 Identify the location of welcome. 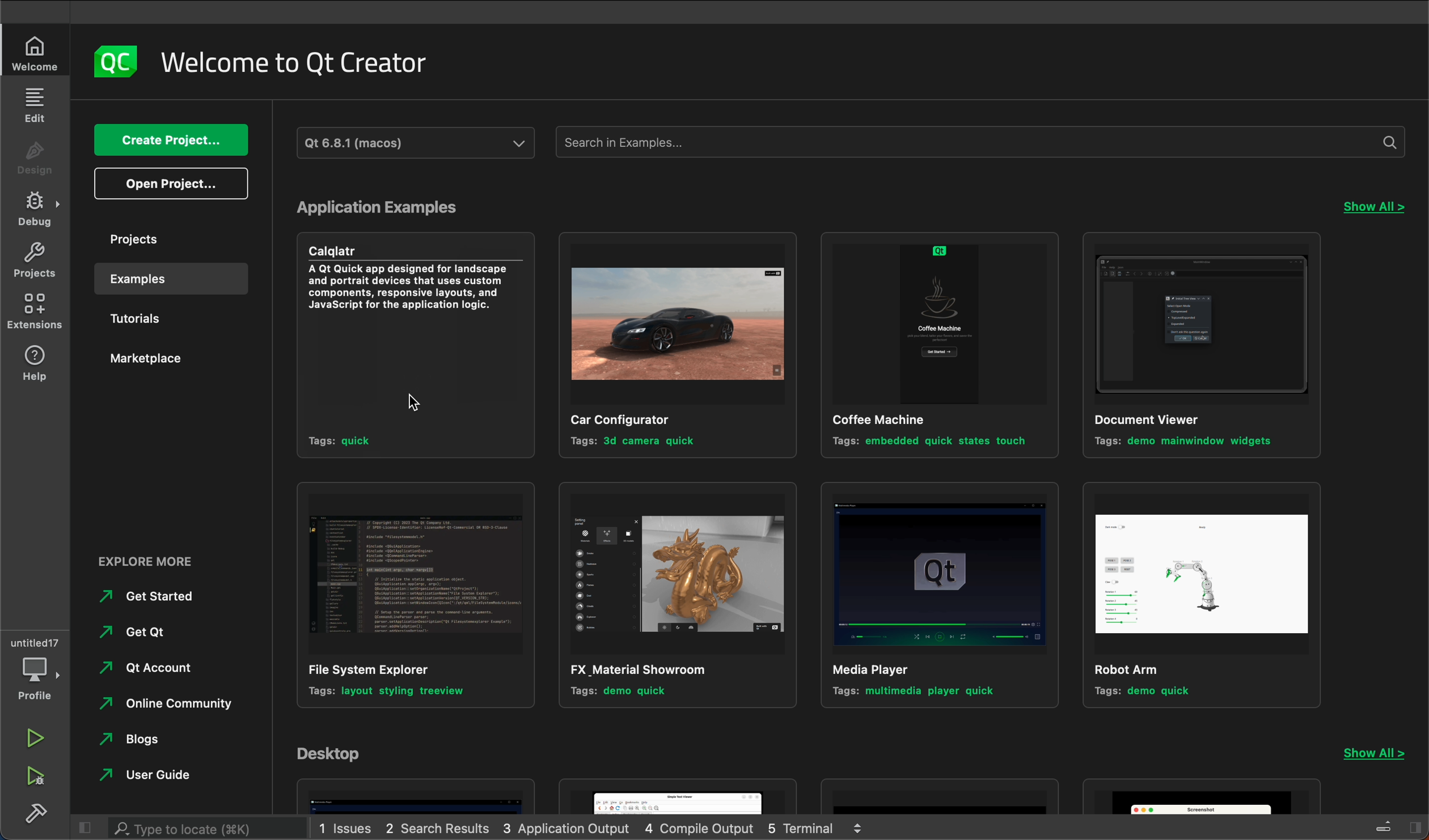
(35, 54).